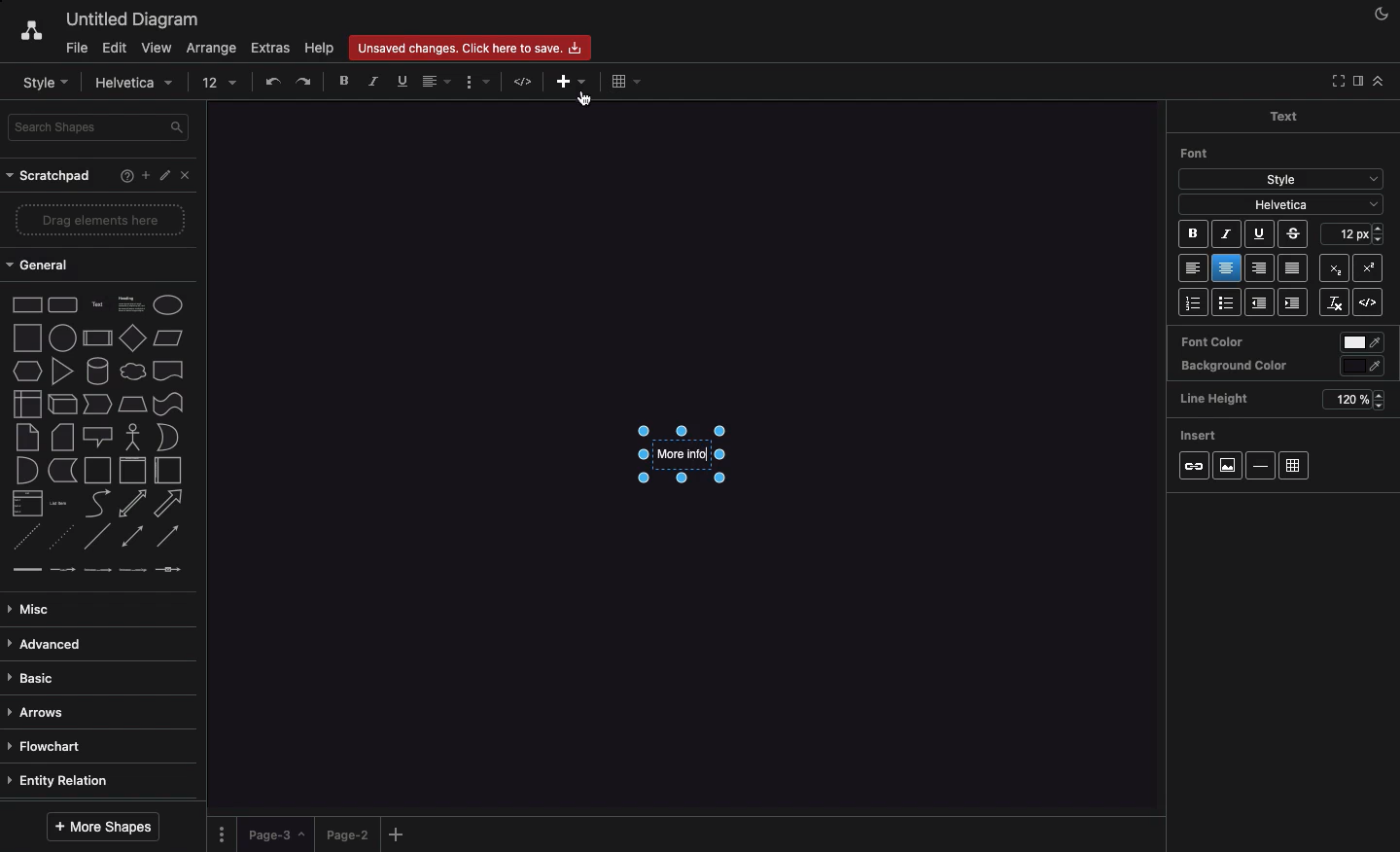  I want to click on container, so click(97, 471).